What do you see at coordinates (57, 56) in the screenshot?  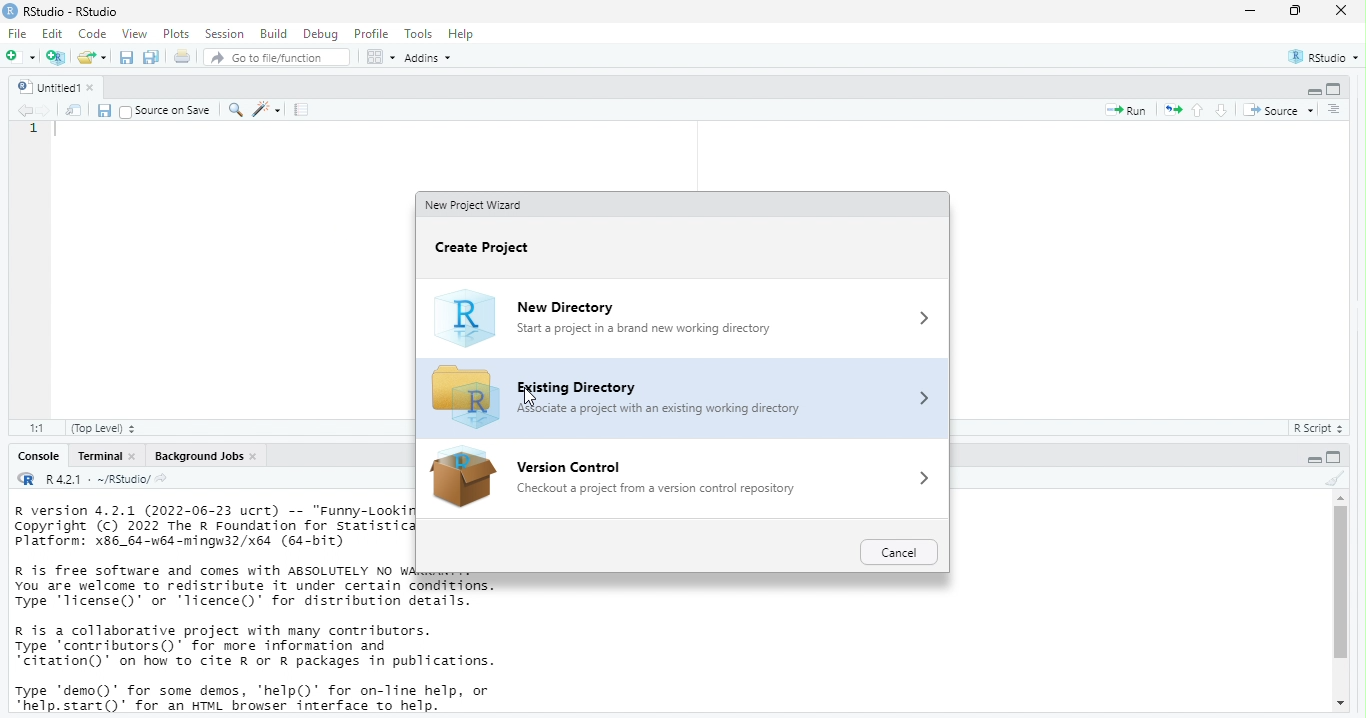 I see `create a project` at bounding box center [57, 56].